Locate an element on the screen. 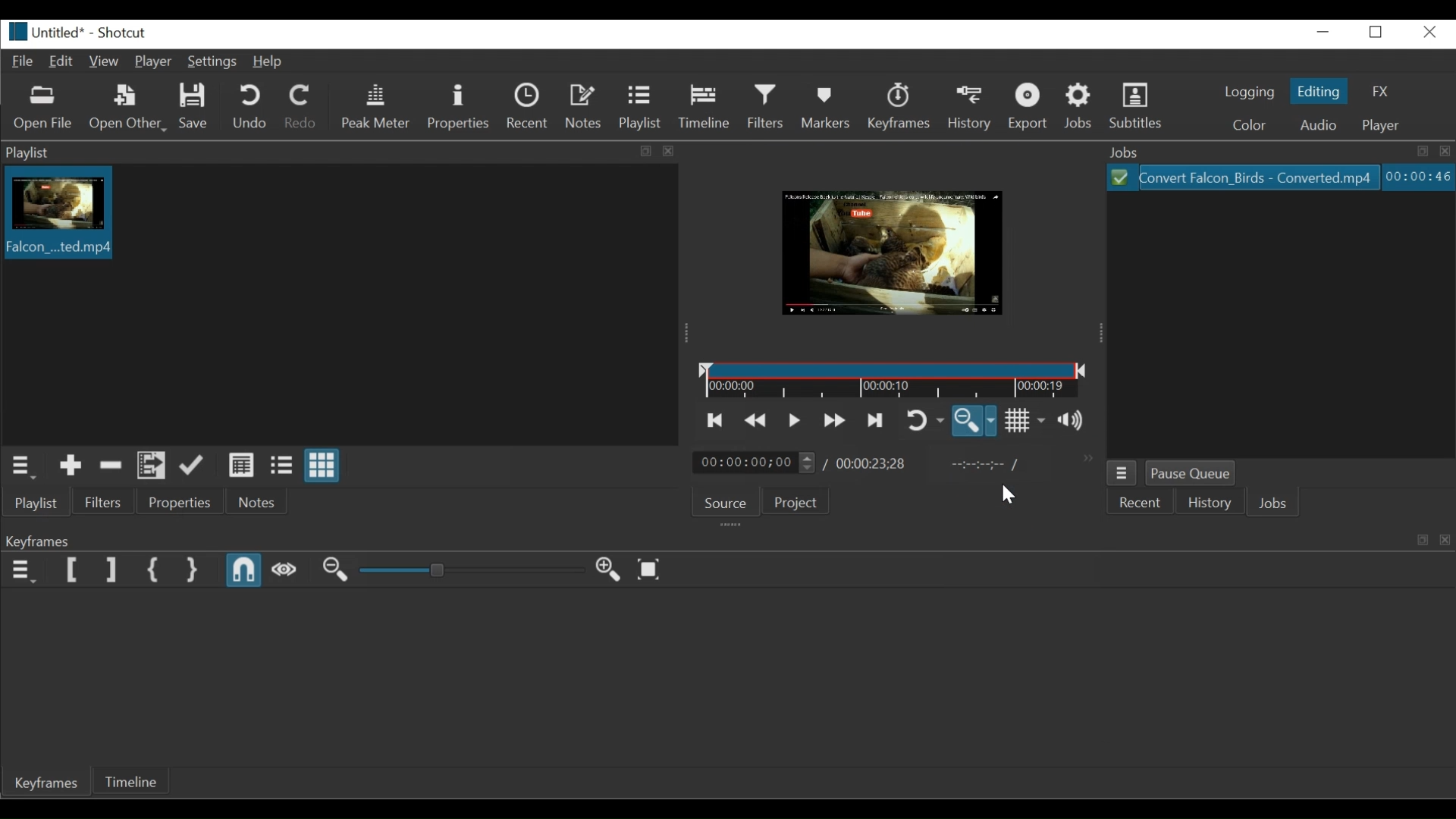  View as files is located at coordinates (281, 465).